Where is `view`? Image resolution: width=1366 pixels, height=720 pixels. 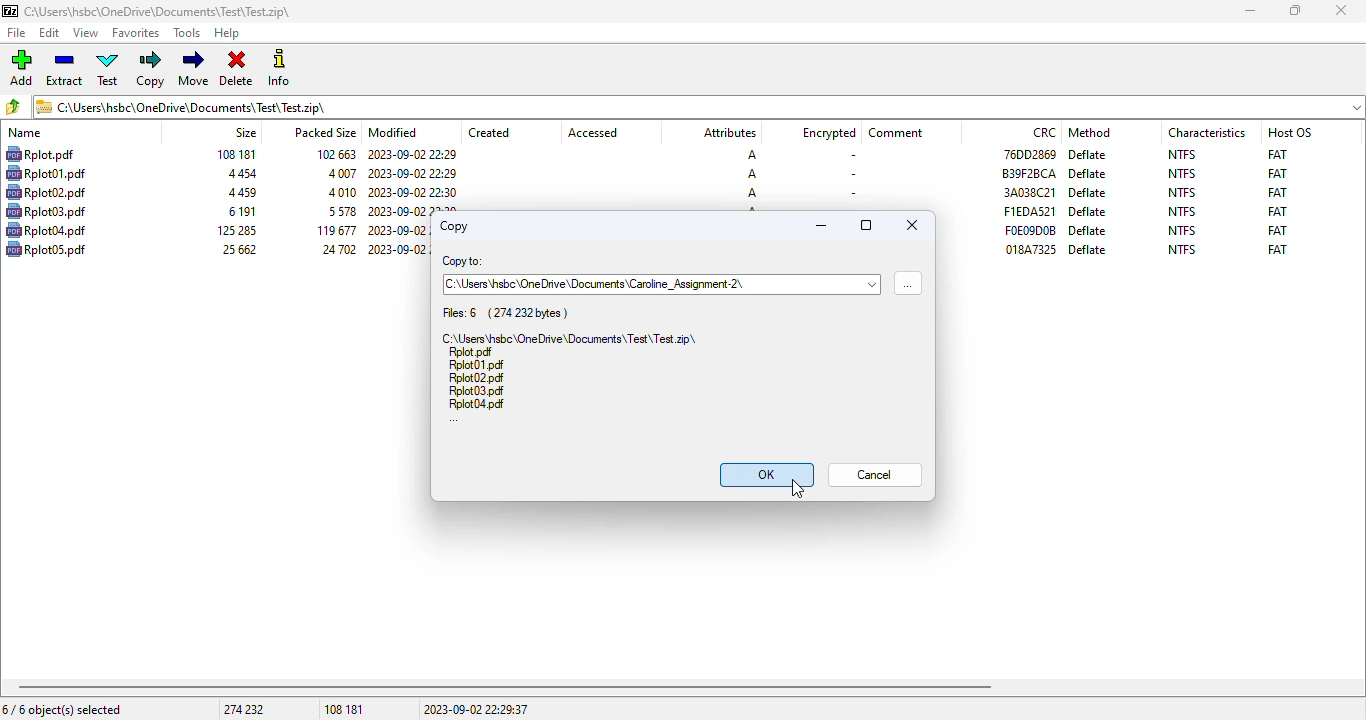
view is located at coordinates (86, 33).